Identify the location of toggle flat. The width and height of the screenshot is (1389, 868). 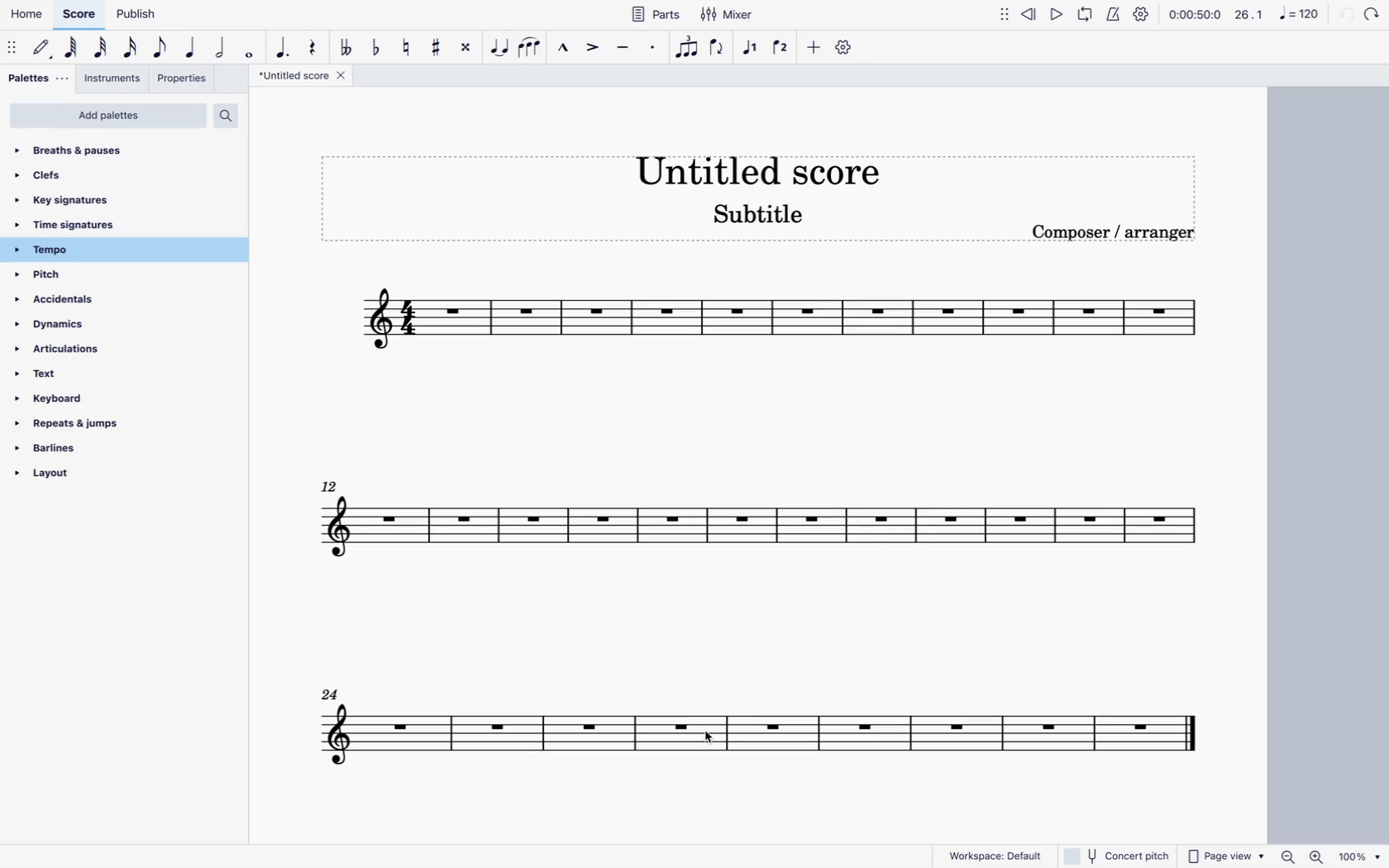
(379, 47).